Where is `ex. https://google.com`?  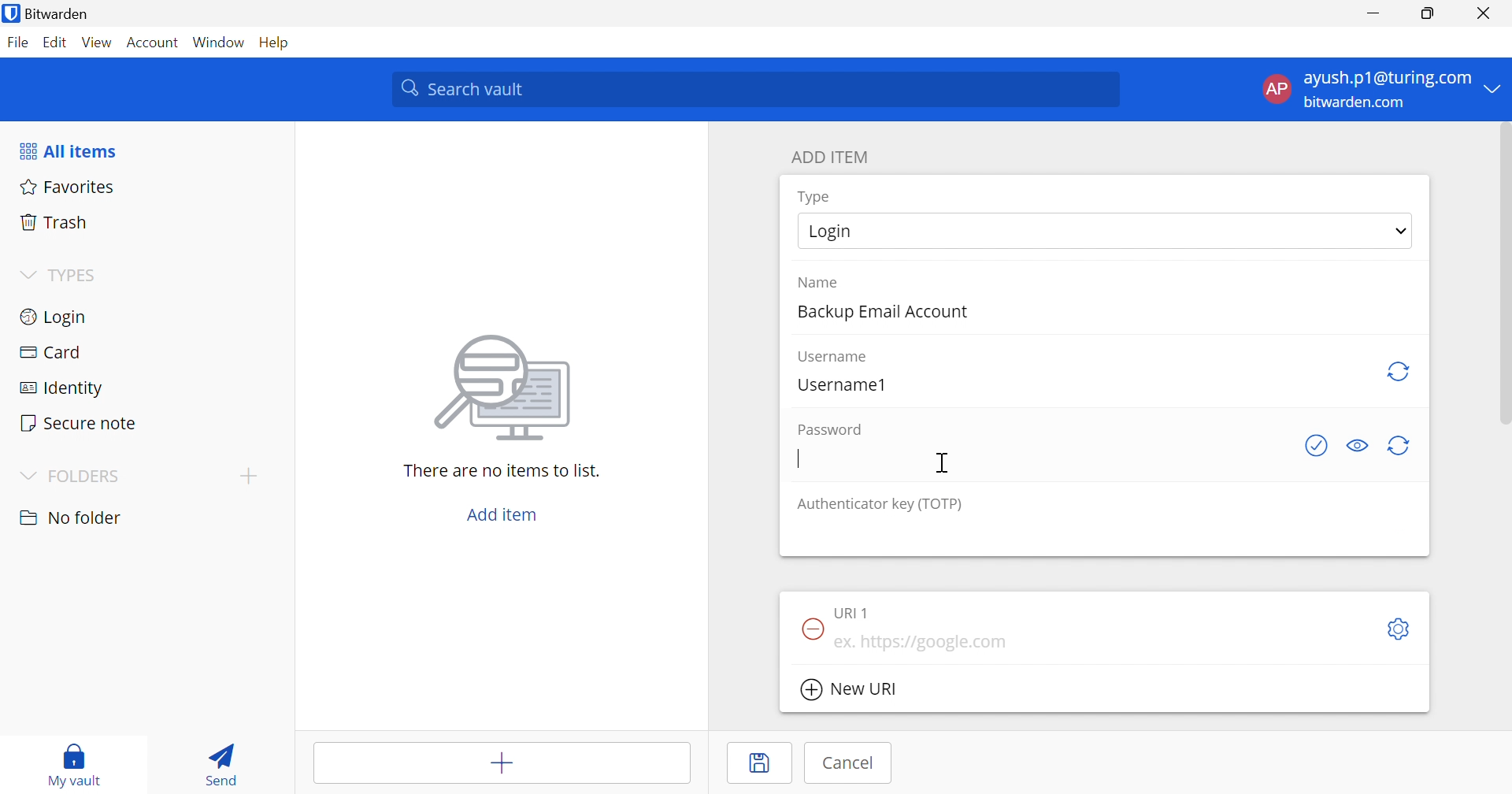 ex. https://google.com is located at coordinates (921, 642).